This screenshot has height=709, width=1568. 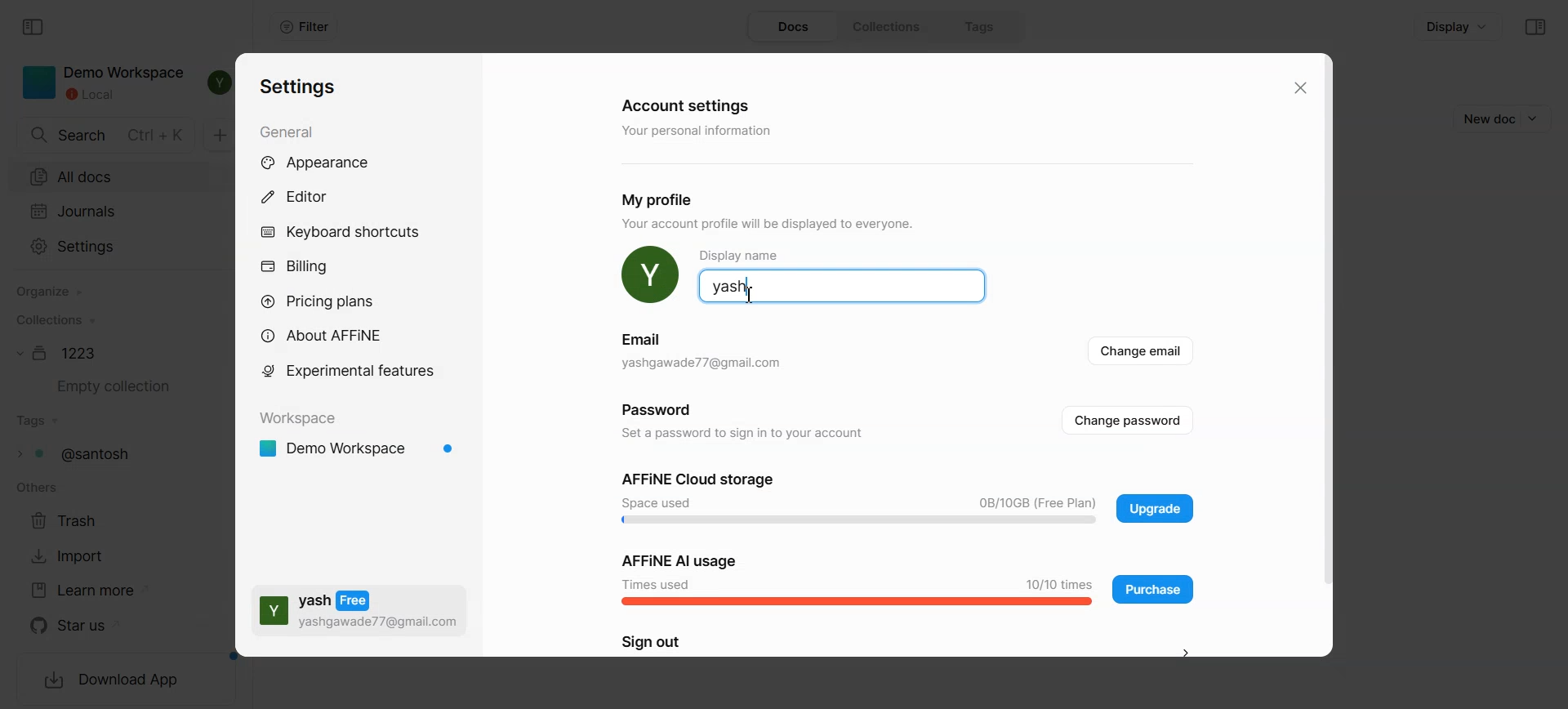 I want to click on Filter, so click(x=304, y=27).